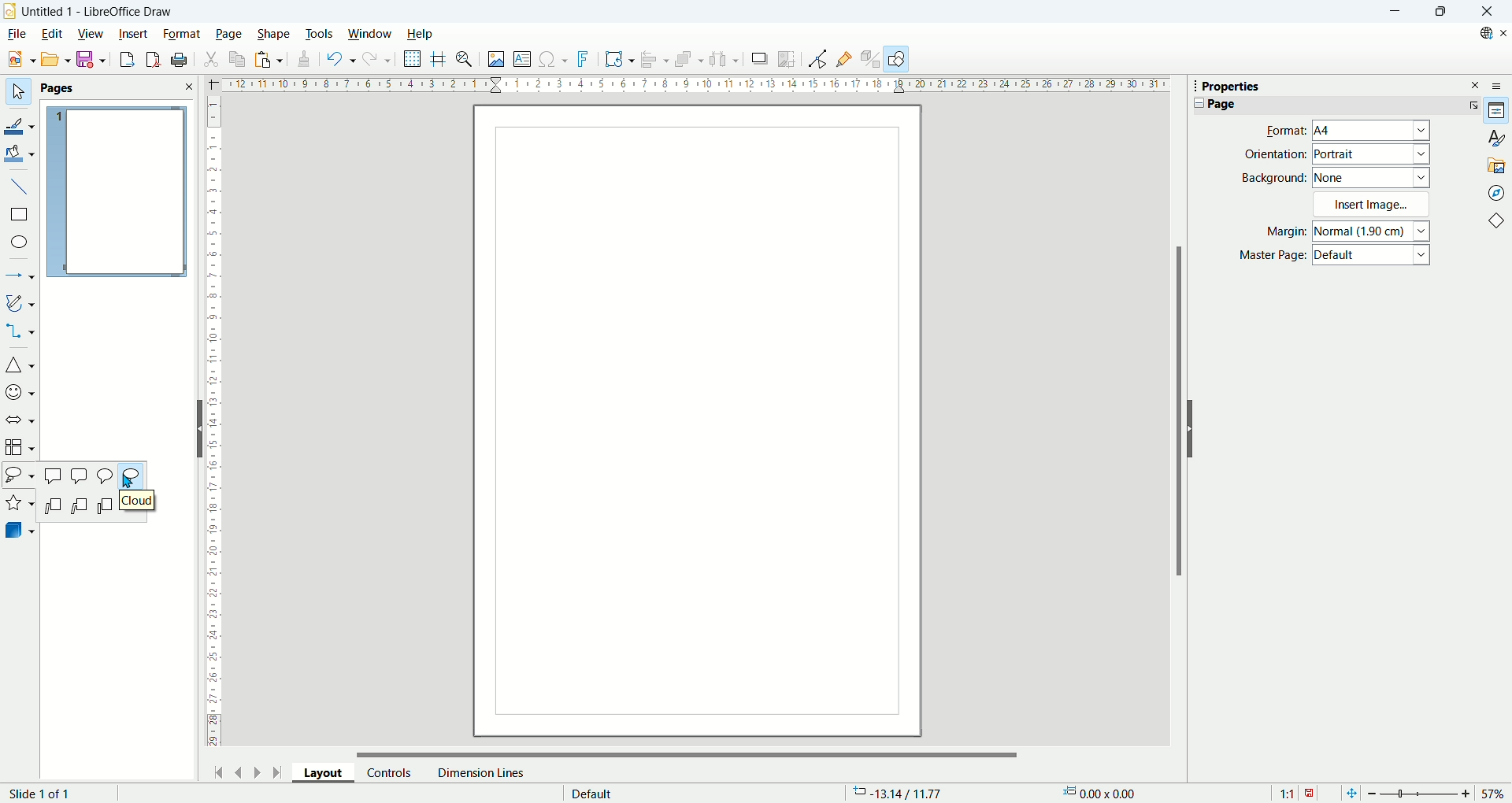  Describe the element at coordinates (370, 35) in the screenshot. I see `window` at that location.